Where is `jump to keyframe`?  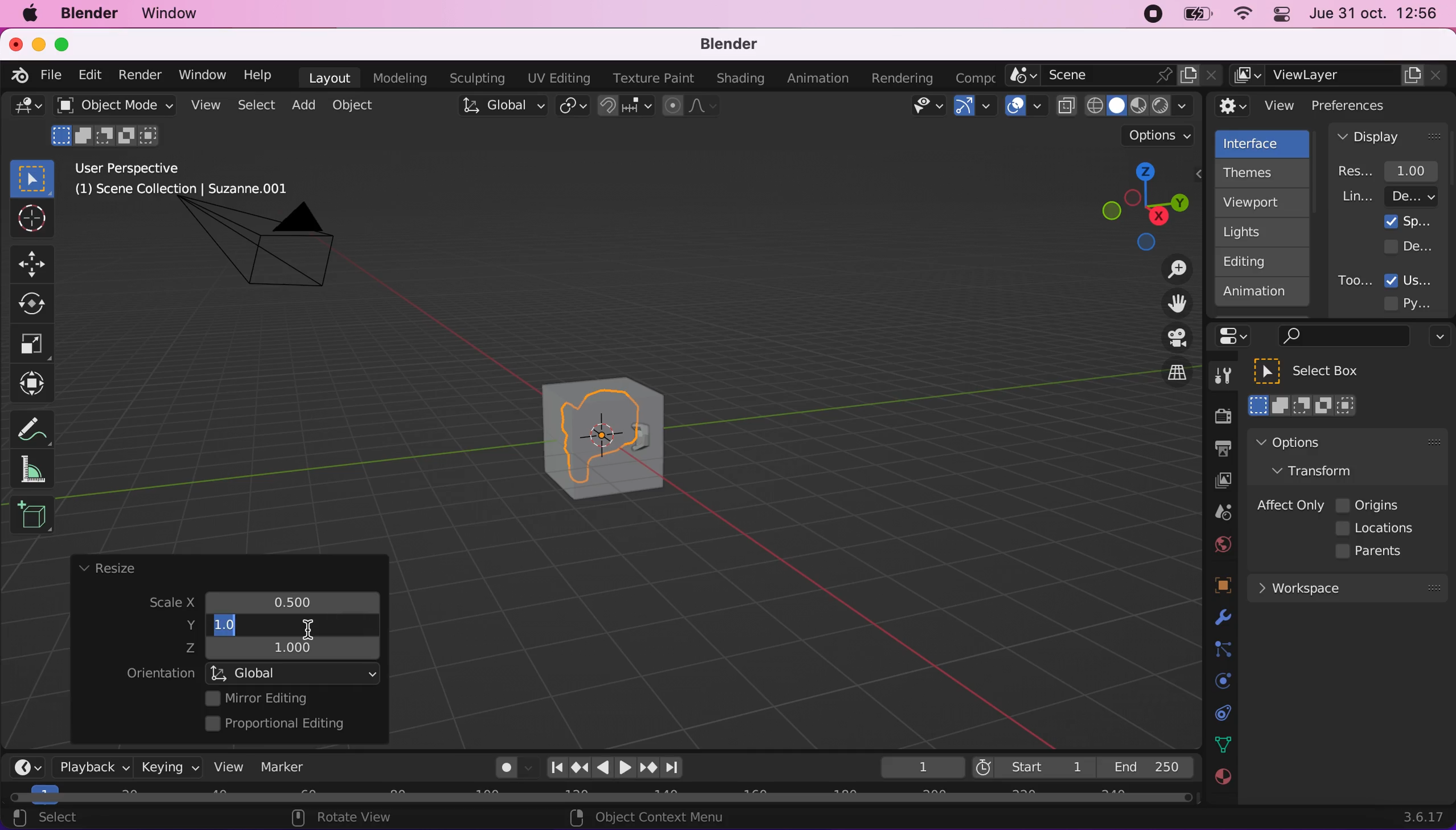
jump to keyframe is located at coordinates (649, 770).